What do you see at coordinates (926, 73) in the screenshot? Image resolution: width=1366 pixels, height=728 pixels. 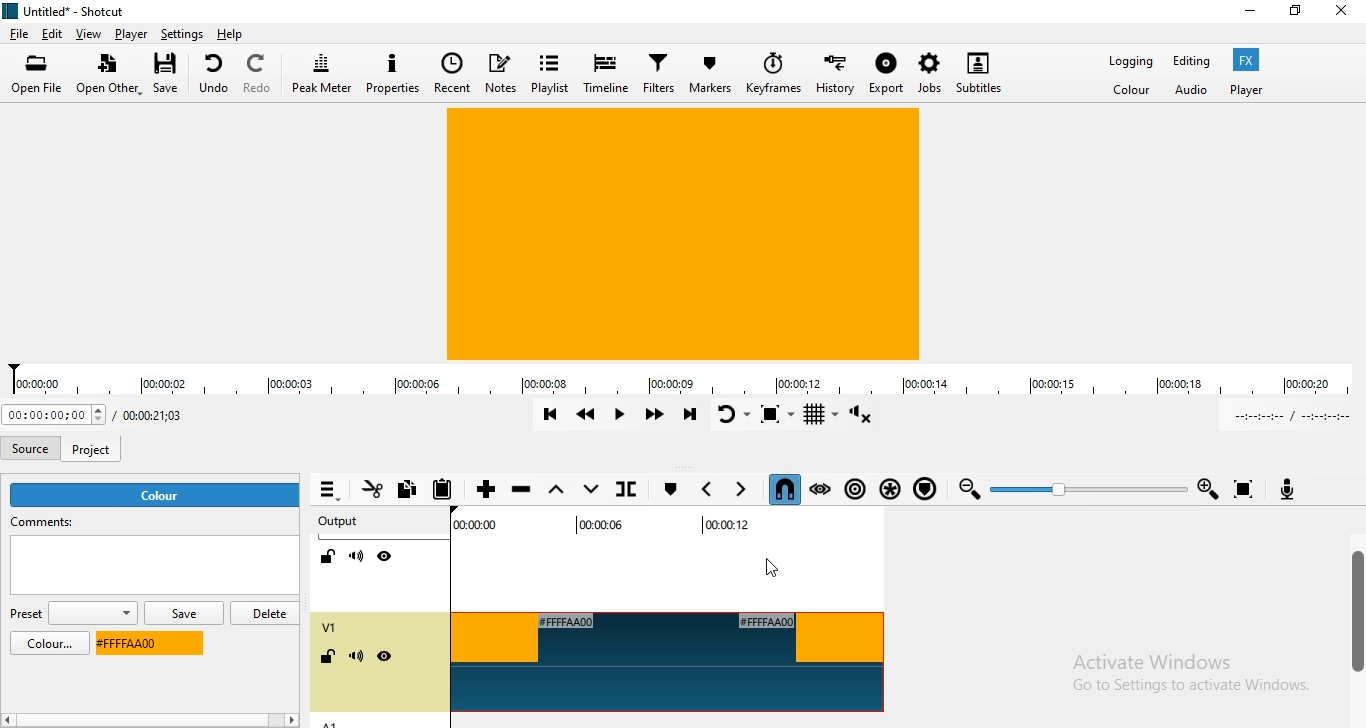 I see `Jobs` at bounding box center [926, 73].